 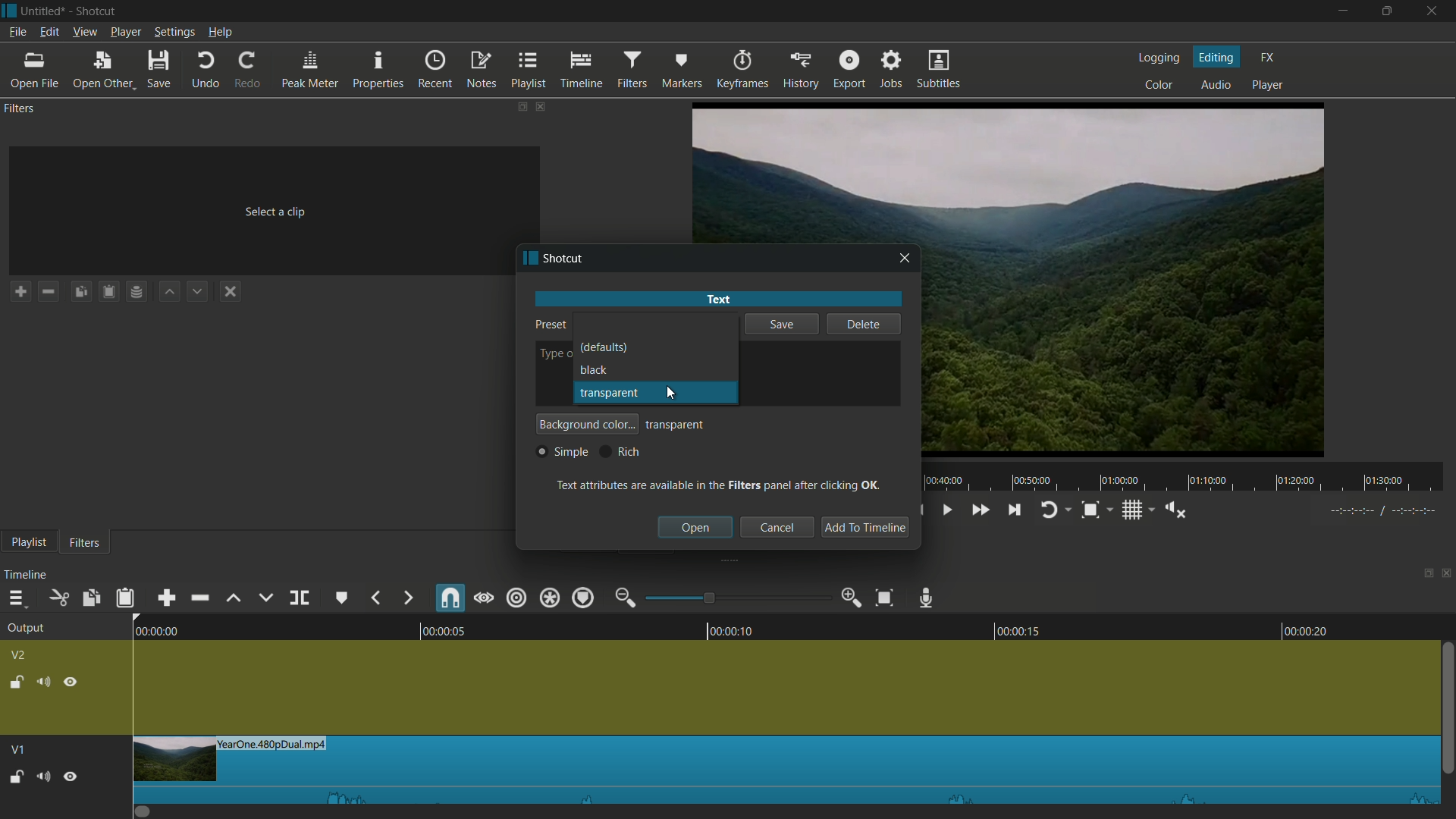 What do you see at coordinates (451, 599) in the screenshot?
I see `snap` at bounding box center [451, 599].